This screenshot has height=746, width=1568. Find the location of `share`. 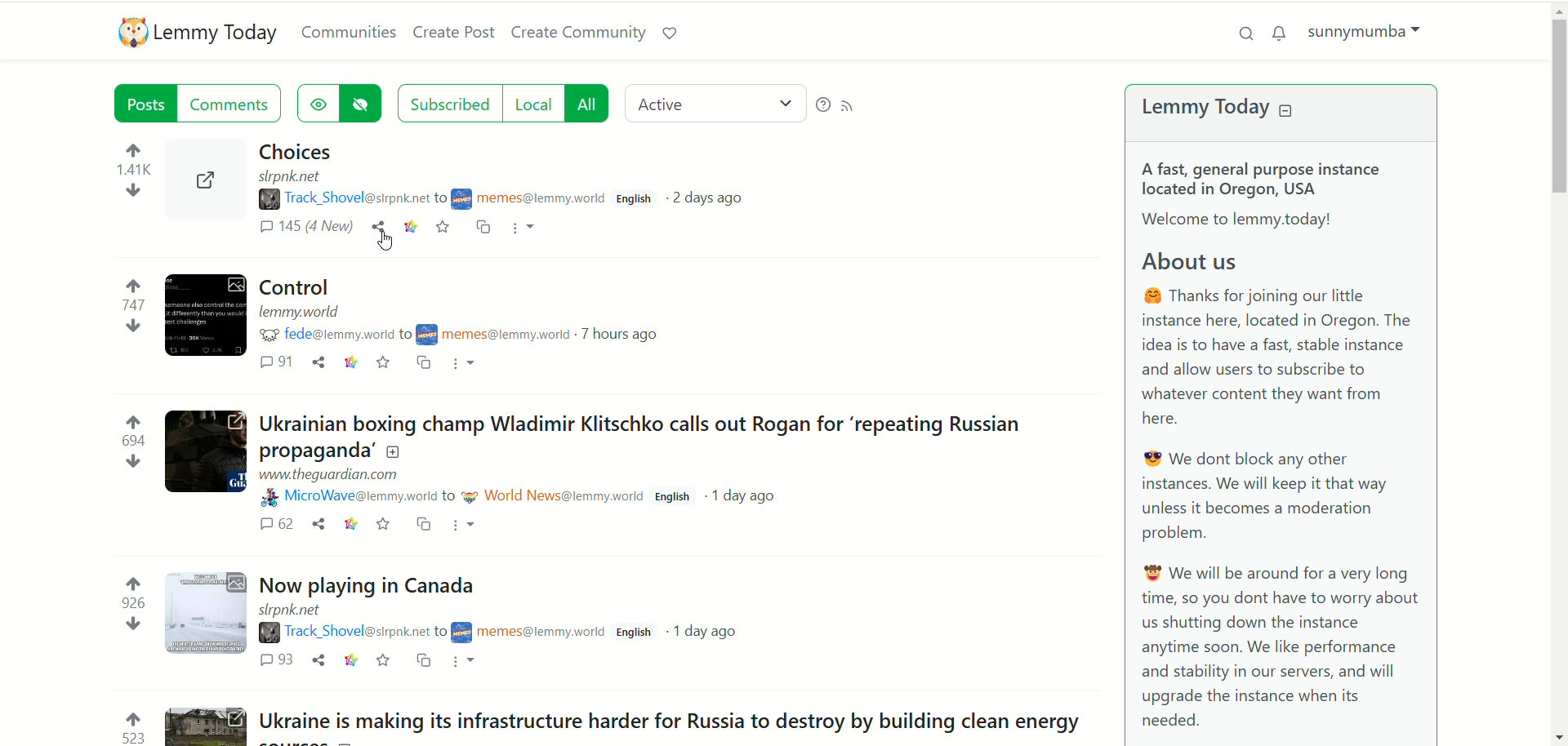

share is located at coordinates (376, 229).